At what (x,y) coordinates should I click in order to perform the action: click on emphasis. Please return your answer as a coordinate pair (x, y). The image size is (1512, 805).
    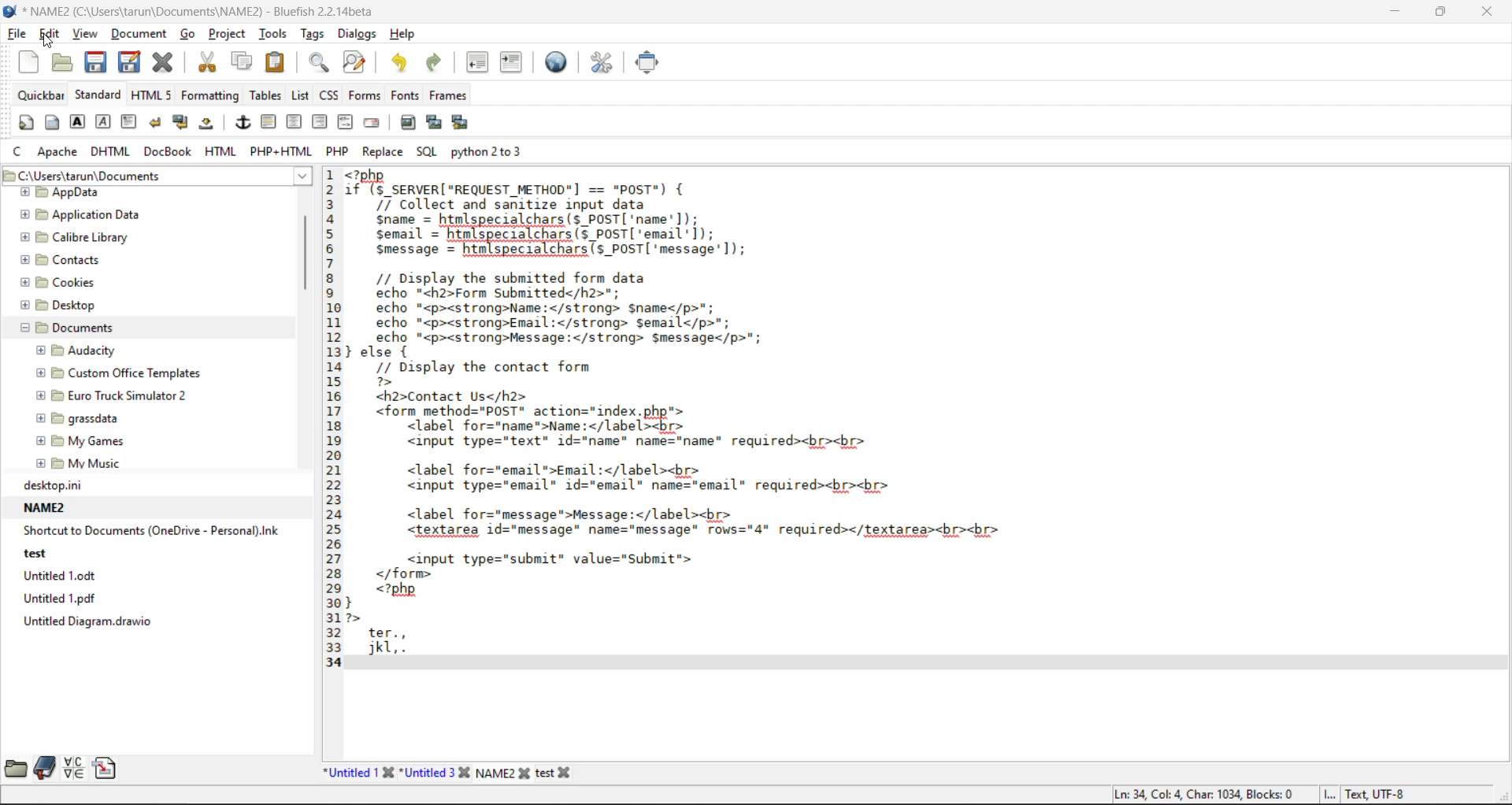
    Looking at the image, I should click on (102, 121).